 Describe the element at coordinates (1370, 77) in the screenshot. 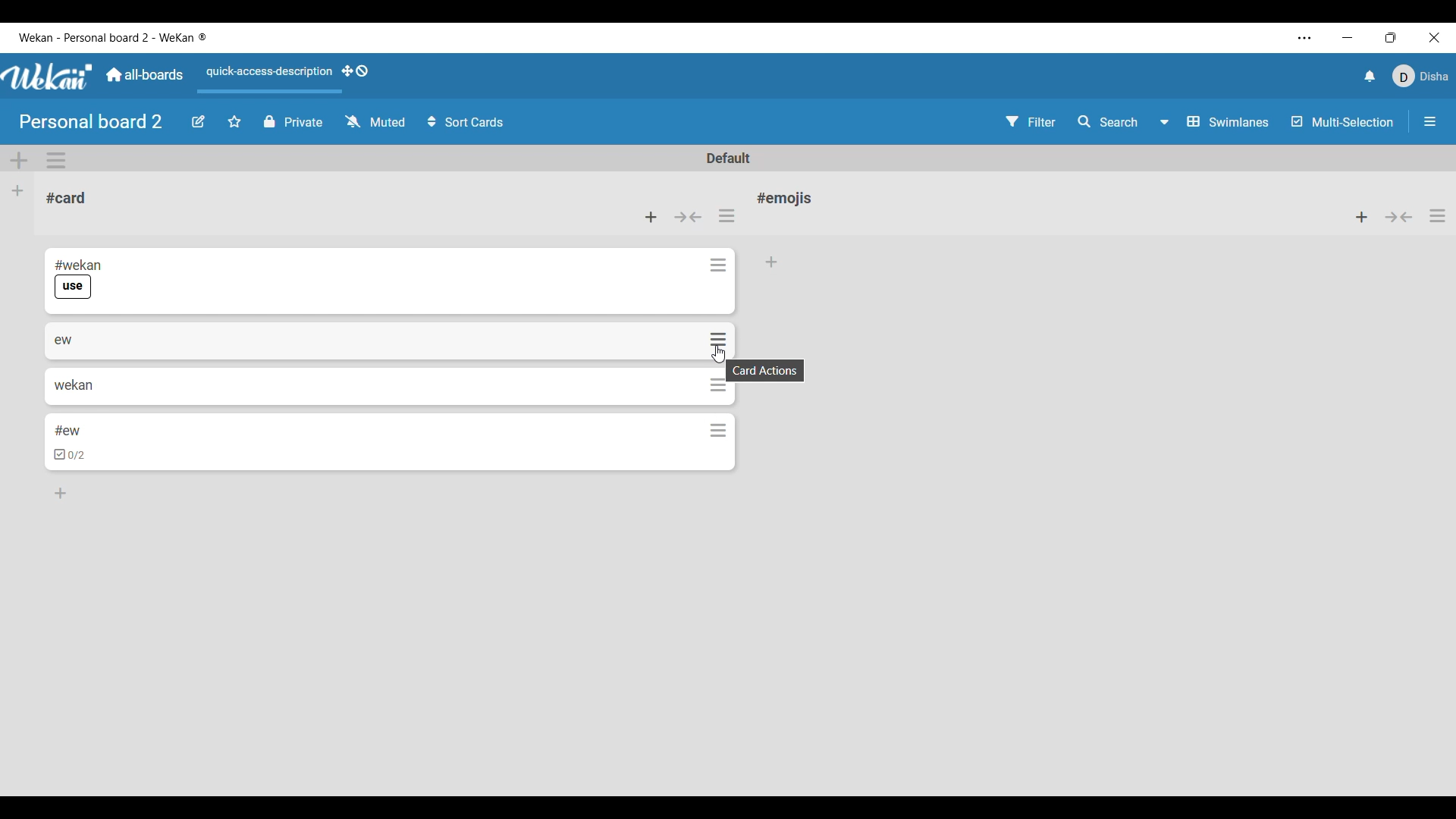

I see `Notifications ` at that location.